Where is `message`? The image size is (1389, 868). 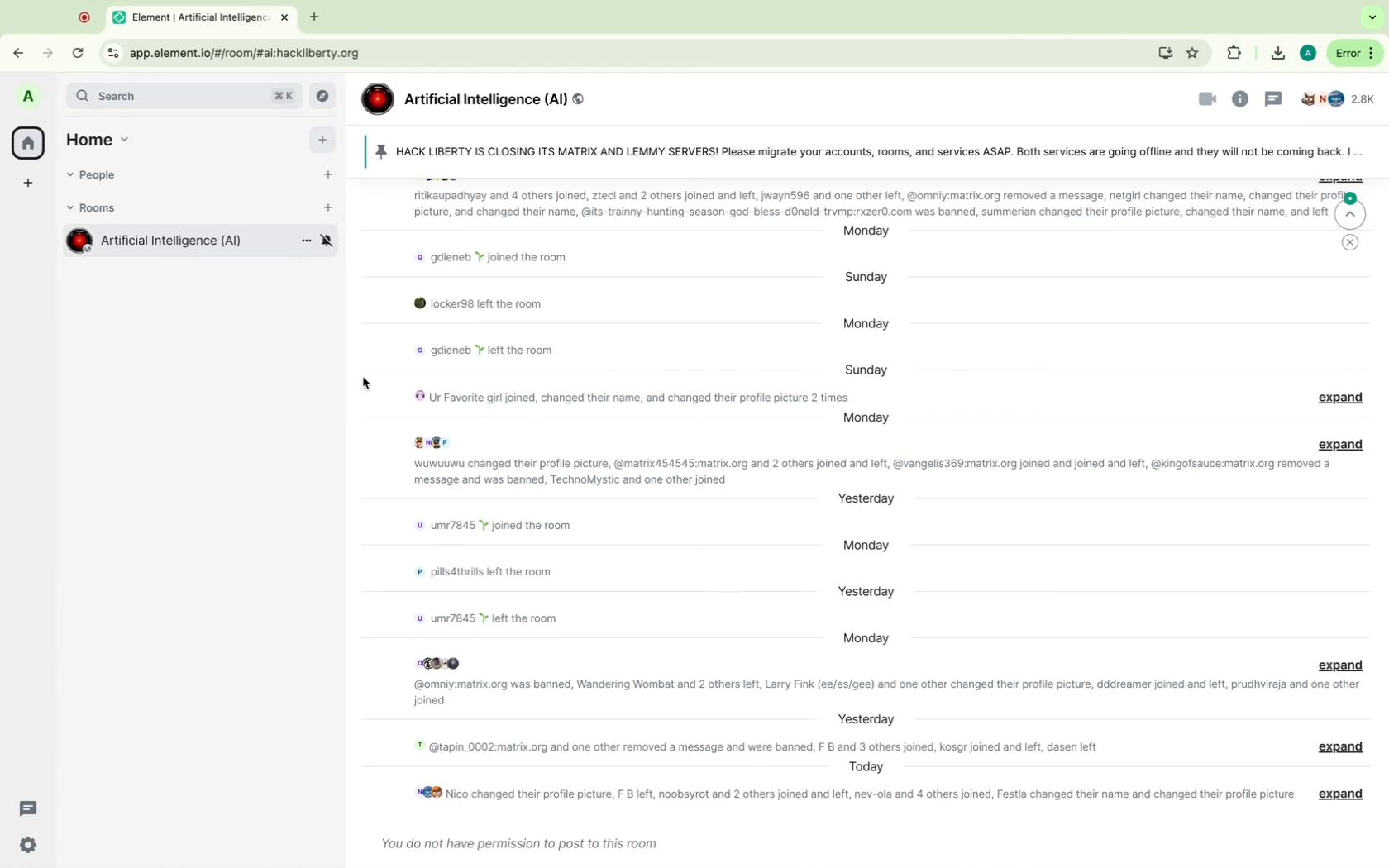
message is located at coordinates (890, 693).